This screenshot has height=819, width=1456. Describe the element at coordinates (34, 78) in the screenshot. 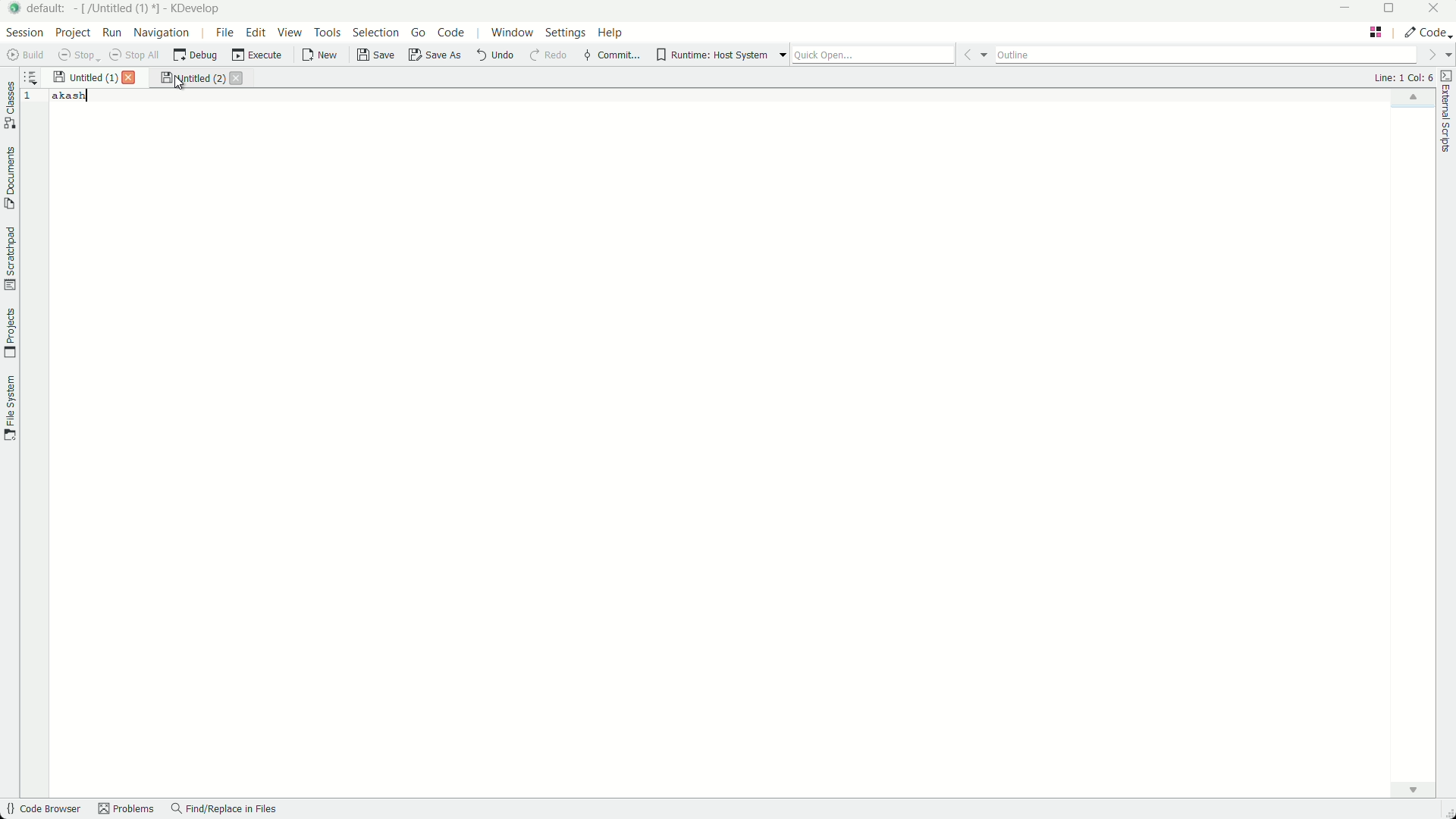

I see `sort the opened documents` at that location.